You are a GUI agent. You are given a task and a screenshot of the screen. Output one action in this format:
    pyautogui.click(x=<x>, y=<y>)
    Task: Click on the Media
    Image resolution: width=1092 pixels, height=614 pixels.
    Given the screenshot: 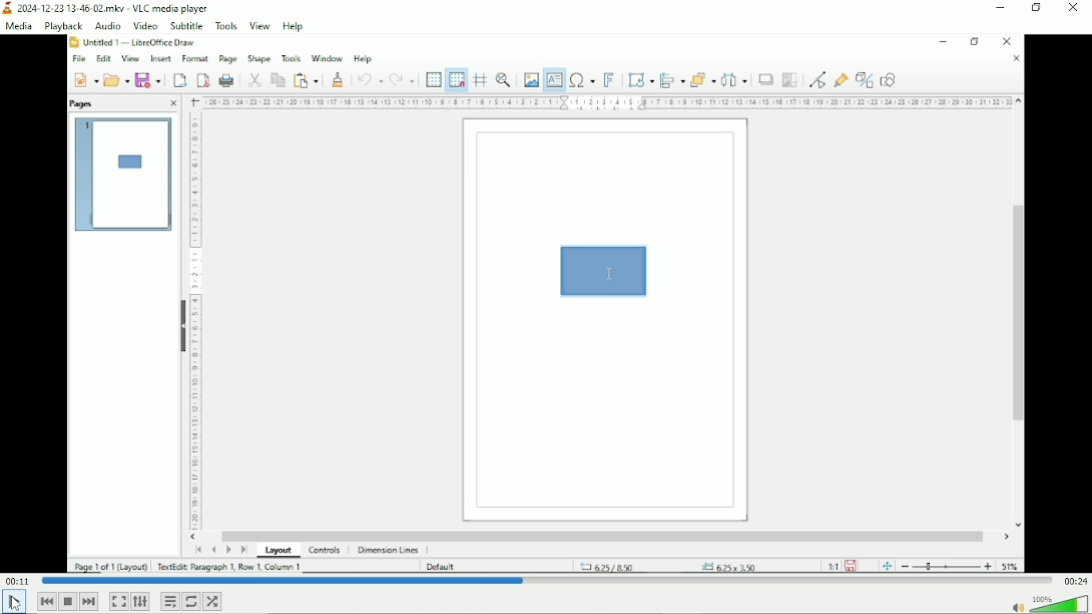 What is the action you would take?
    pyautogui.click(x=19, y=27)
    